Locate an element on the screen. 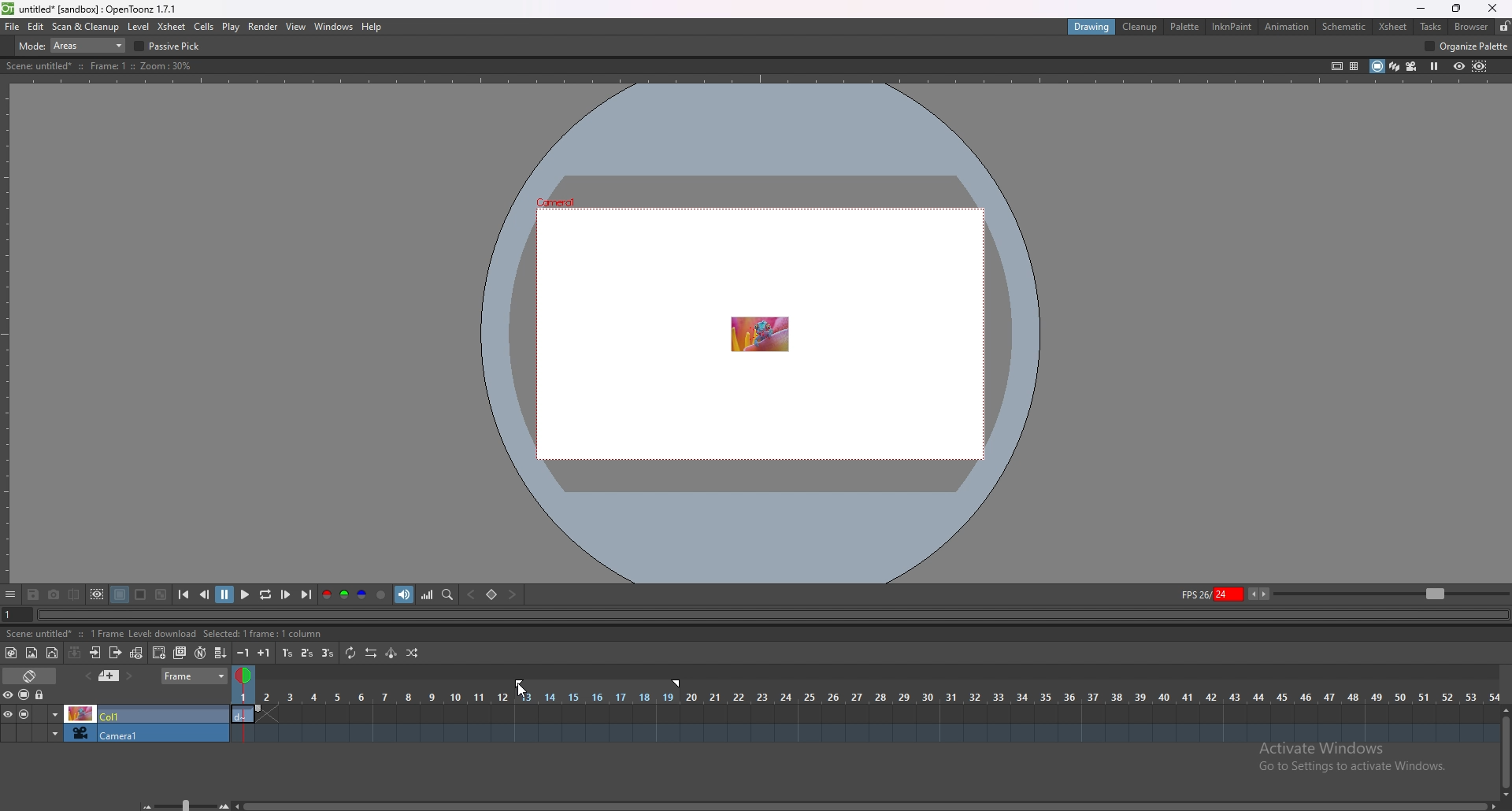 Image resolution: width=1512 pixels, height=811 pixels. scroll bar is located at coordinates (1504, 751).